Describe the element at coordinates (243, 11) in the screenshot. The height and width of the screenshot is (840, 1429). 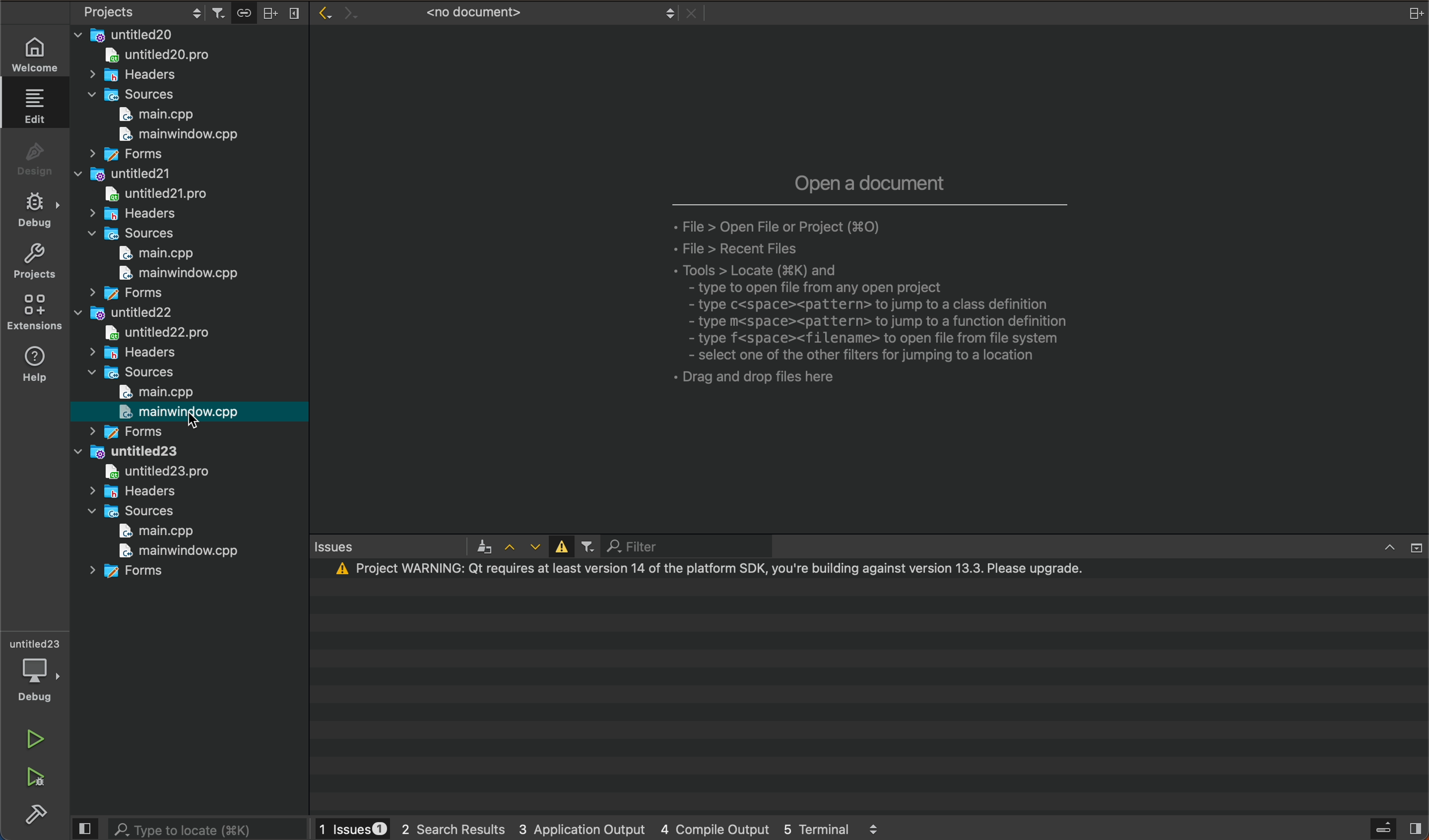
I see `link` at that location.